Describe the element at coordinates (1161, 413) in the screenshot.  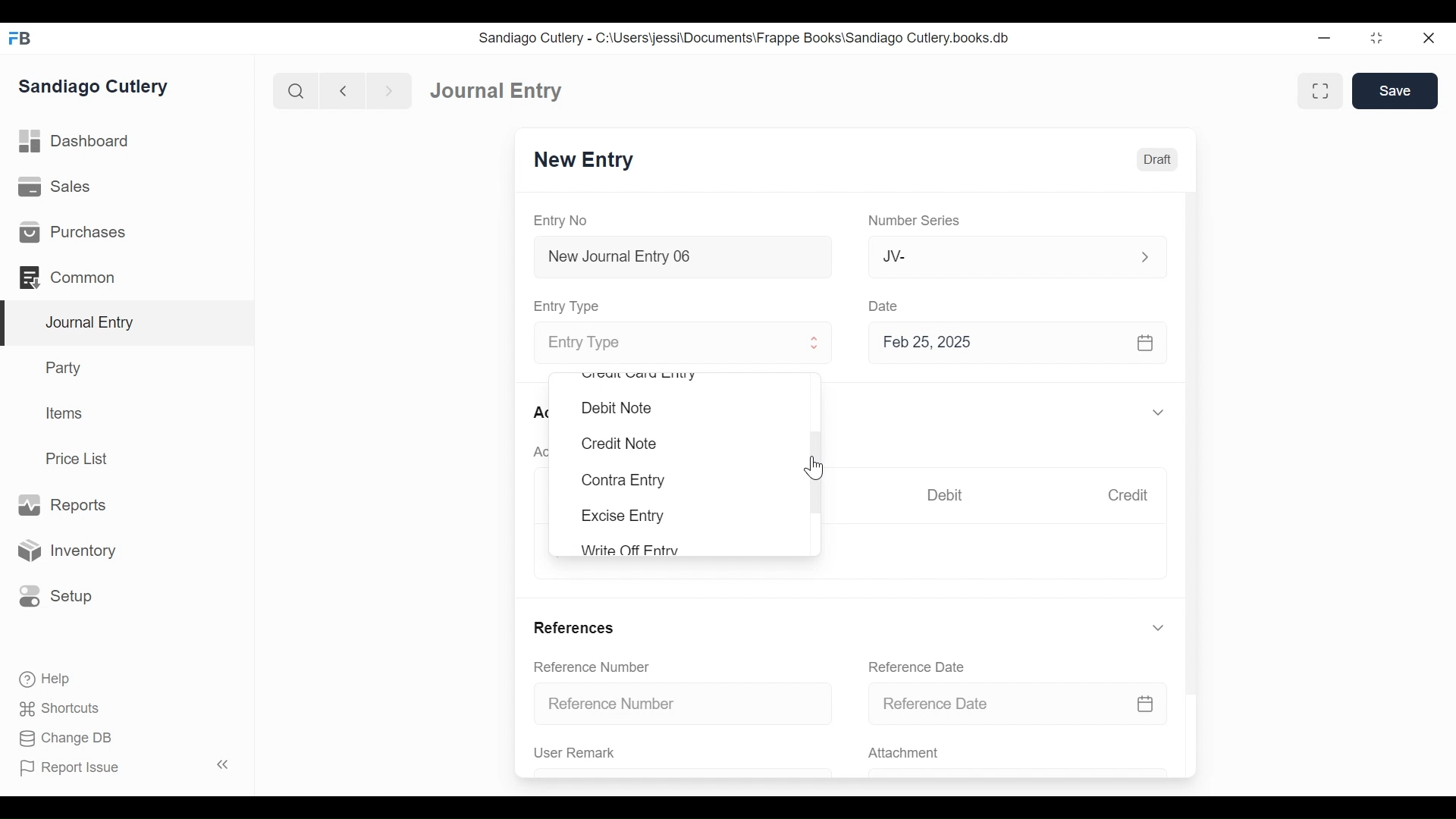
I see `Expand` at that location.